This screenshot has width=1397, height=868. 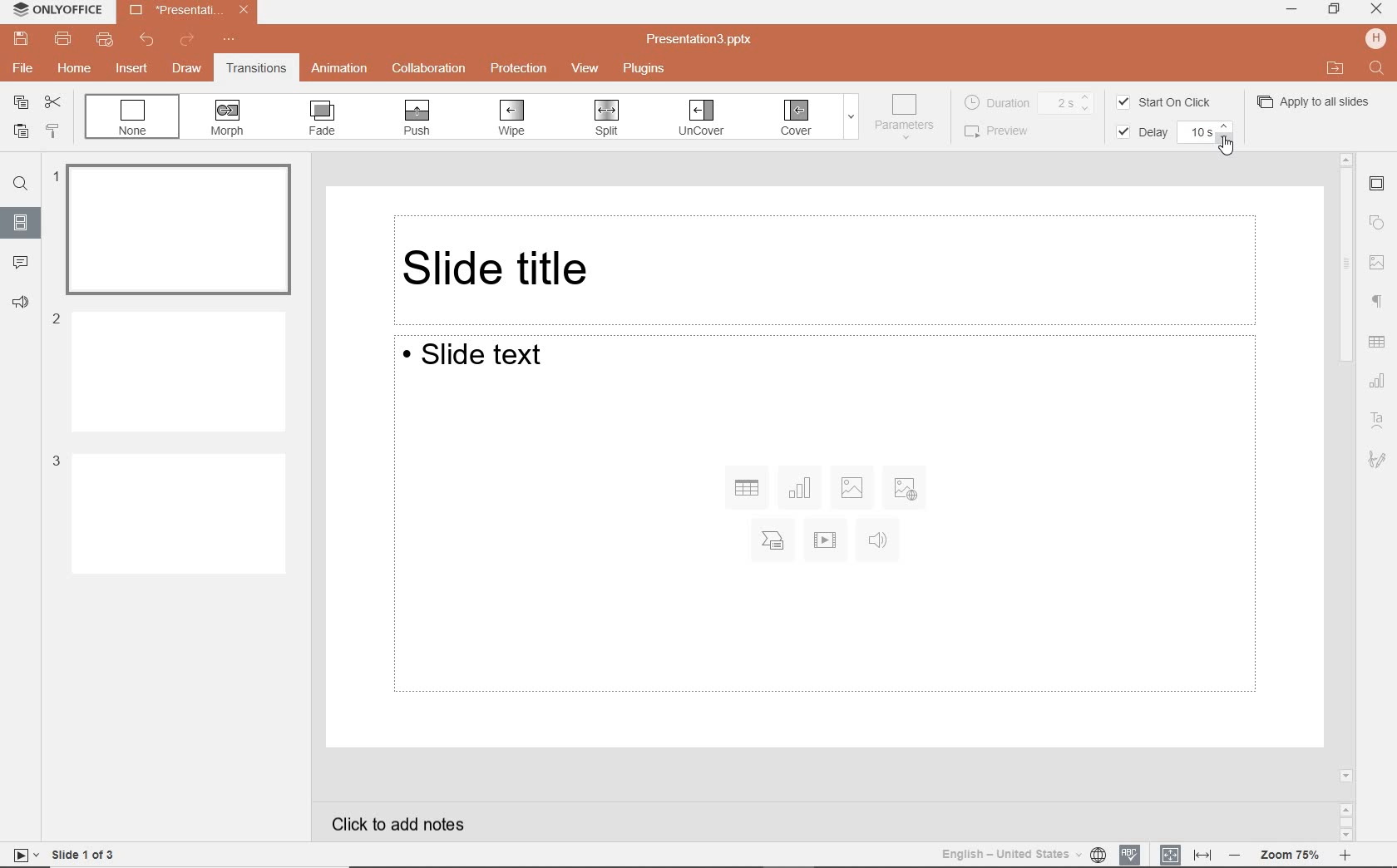 What do you see at coordinates (1005, 131) in the screenshot?
I see `PREVIEW` at bounding box center [1005, 131].